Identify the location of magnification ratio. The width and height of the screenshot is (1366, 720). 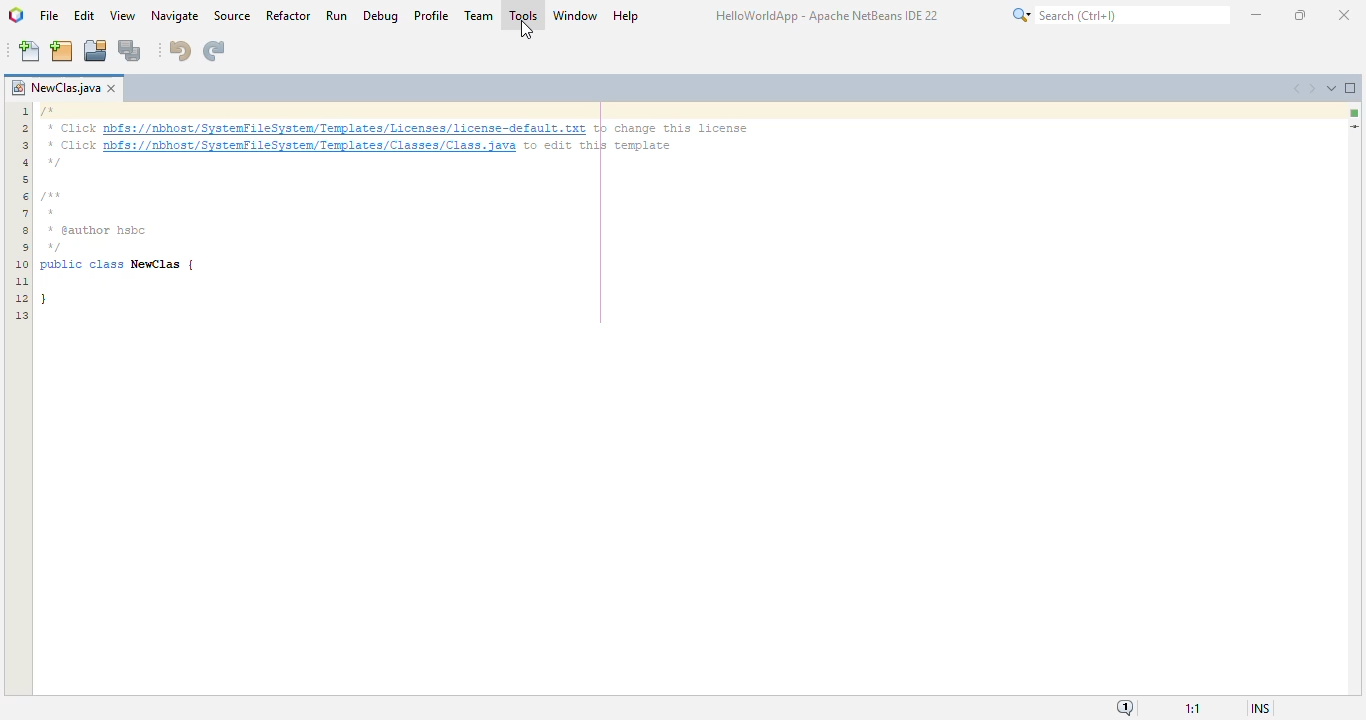
(1193, 709).